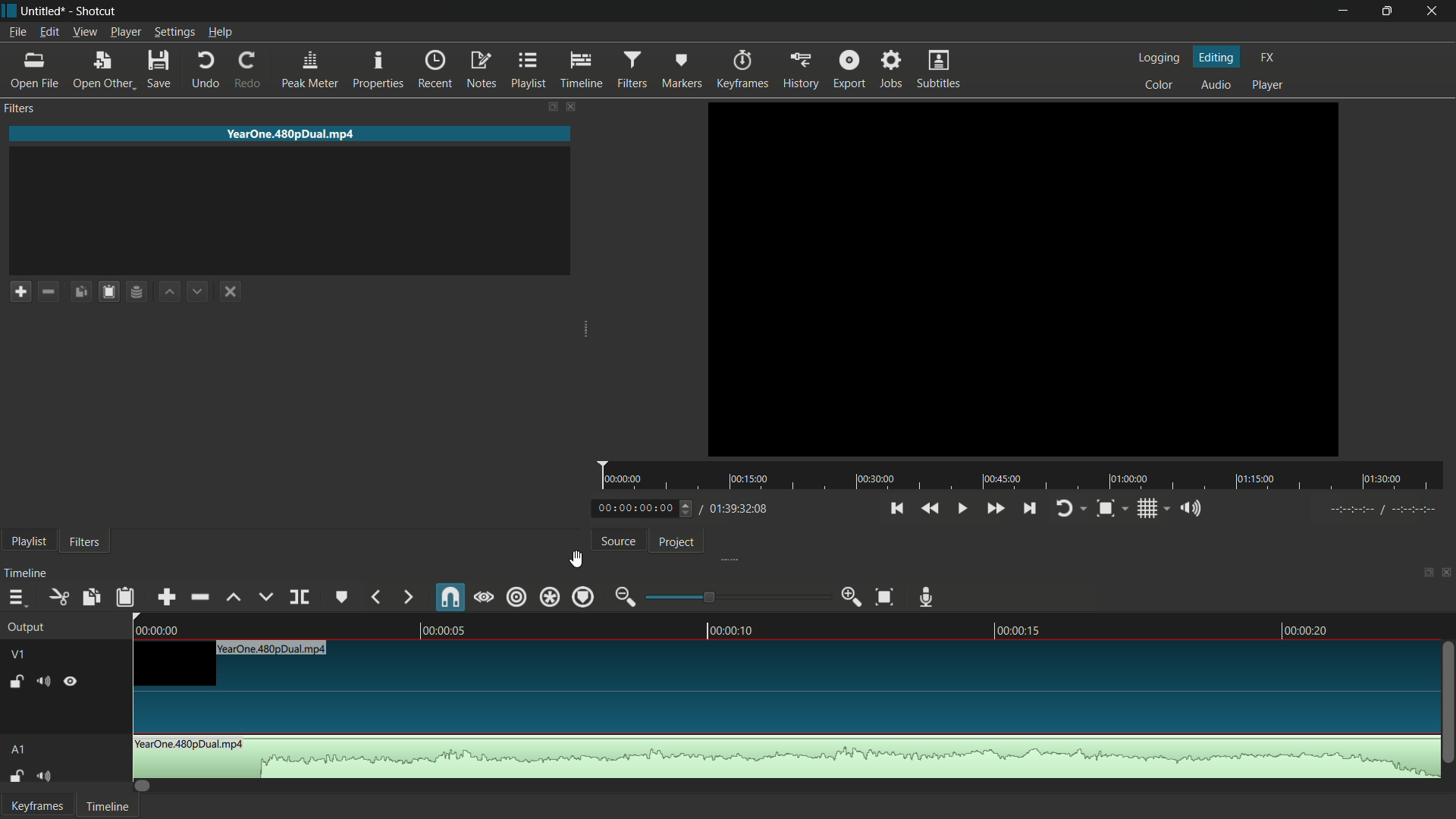  What do you see at coordinates (1130, 478) in the screenshot?
I see `01:00:00` at bounding box center [1130, 478].